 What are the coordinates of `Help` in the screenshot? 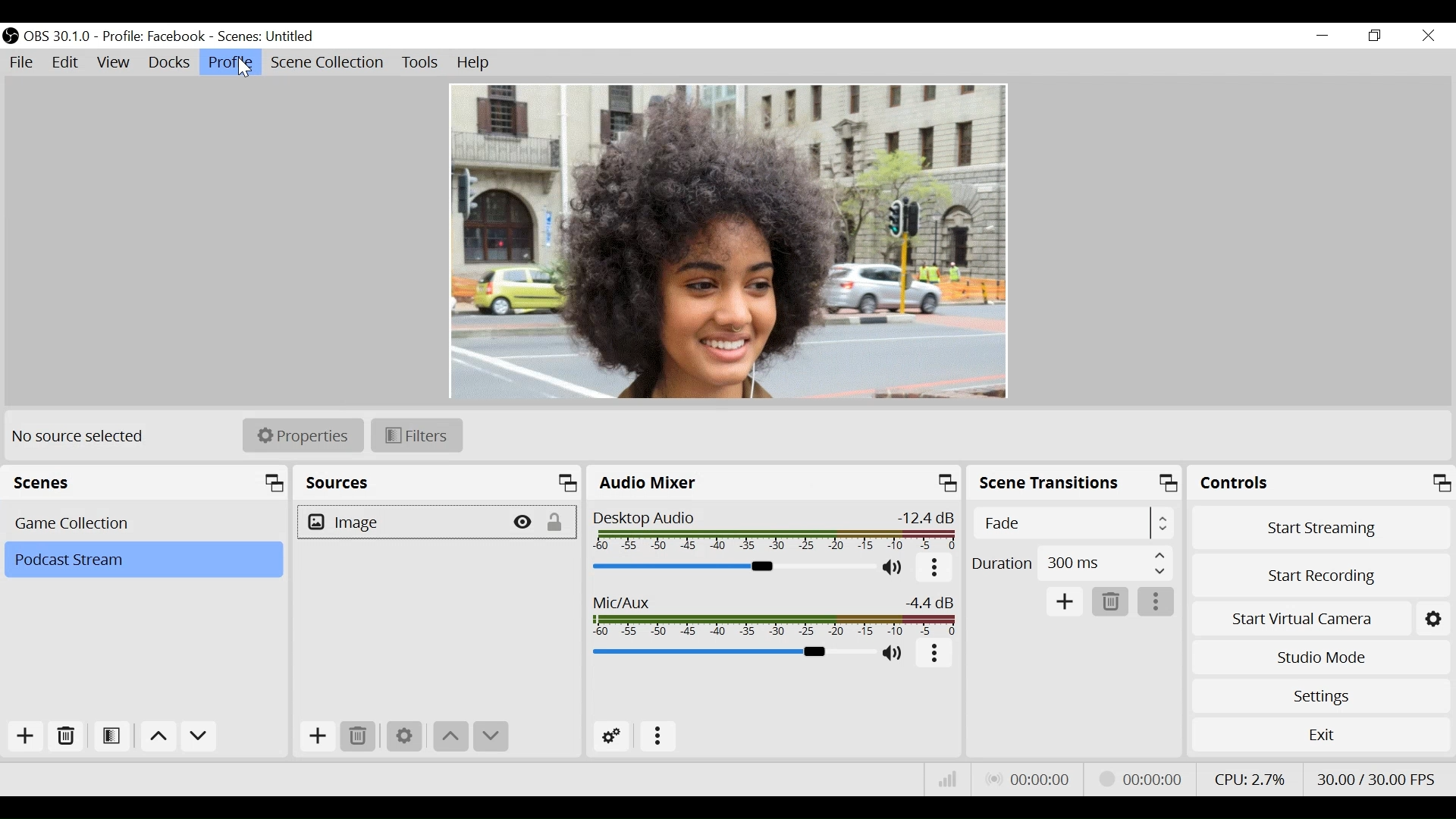 It's located at (472, 64).